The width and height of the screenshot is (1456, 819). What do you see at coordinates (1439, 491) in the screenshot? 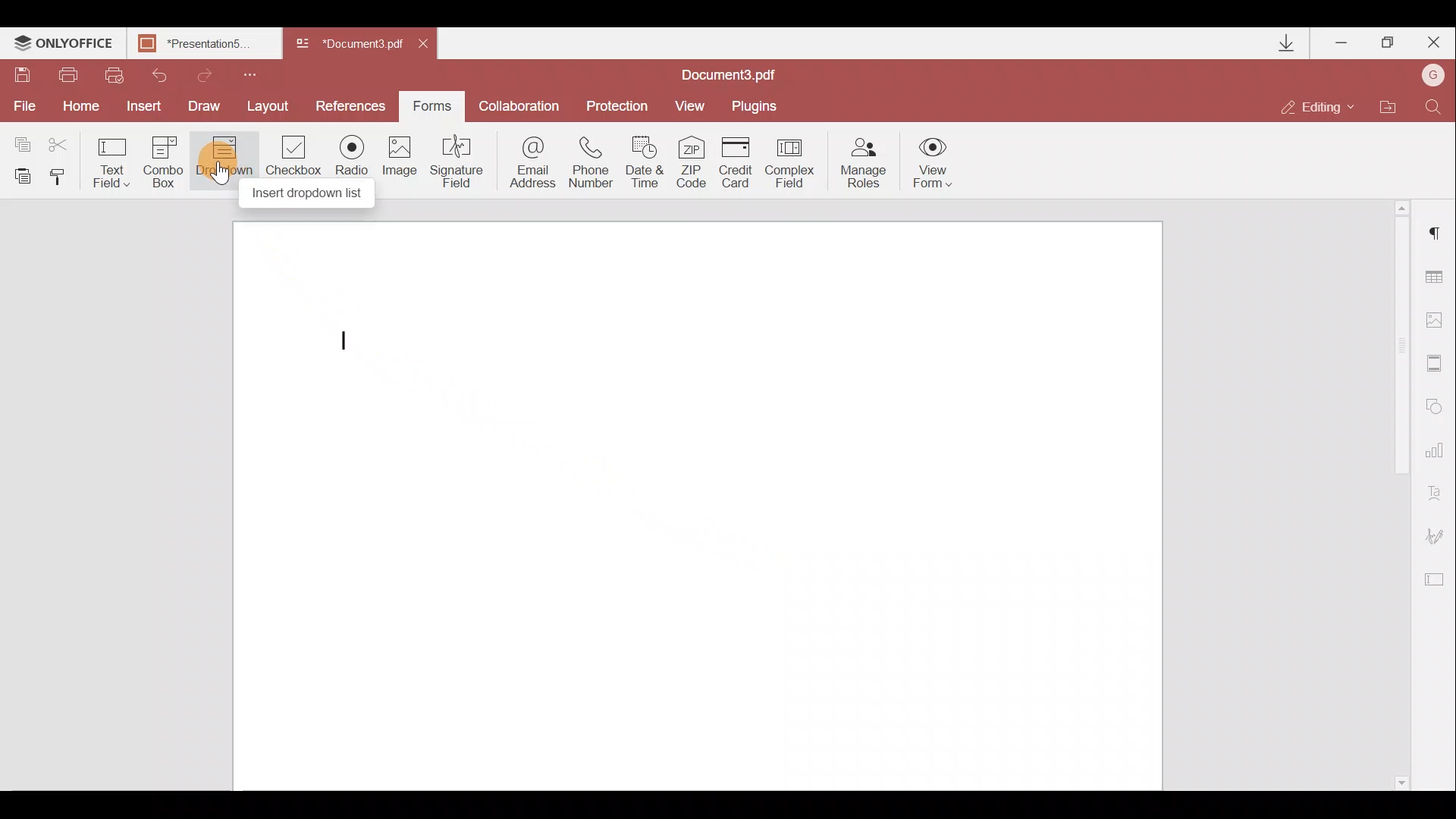
I see `Text Art settings` at bounding box center [1439, 491].